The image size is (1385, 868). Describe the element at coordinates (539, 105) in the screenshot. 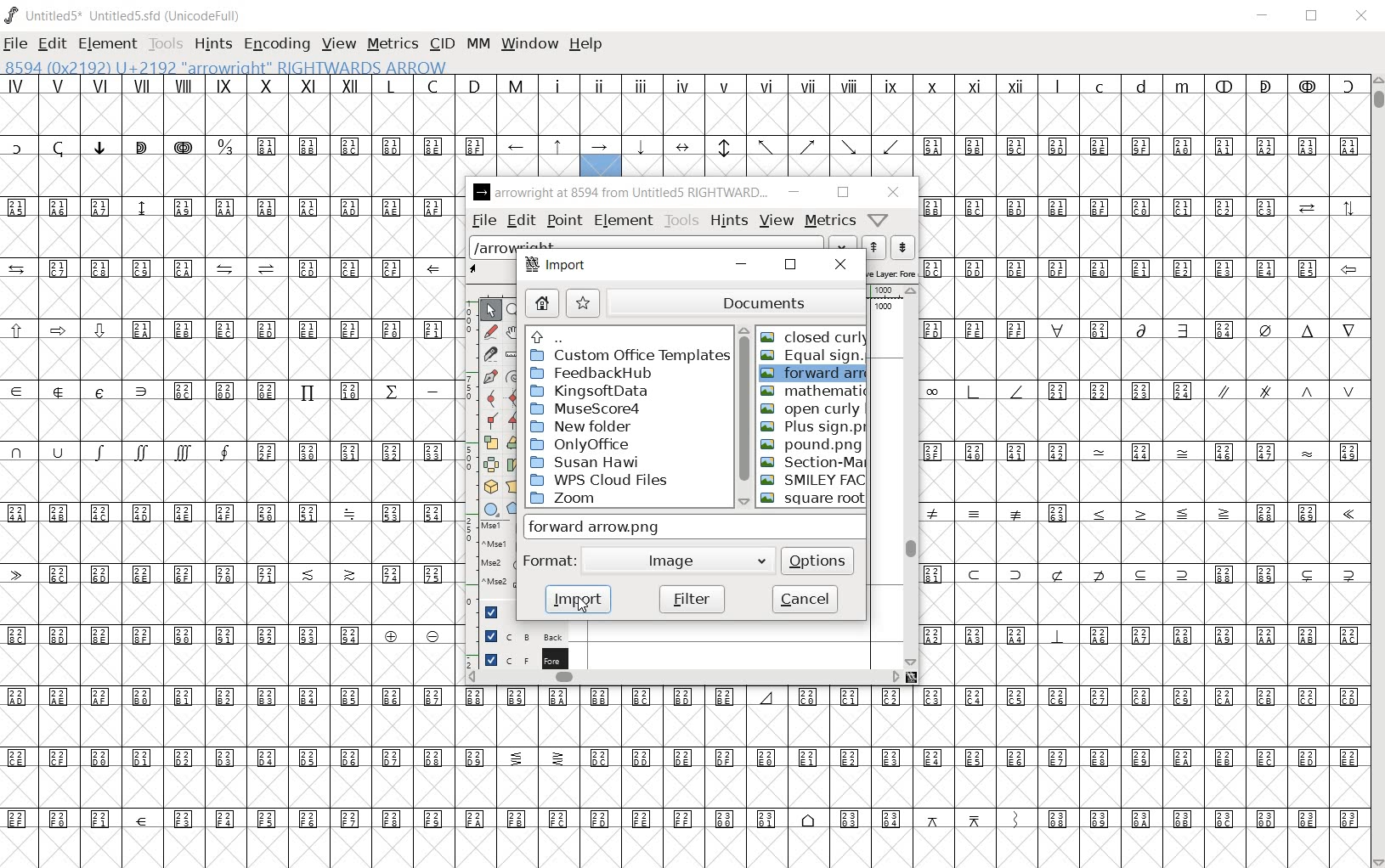

I see `gylph characters` at that location.